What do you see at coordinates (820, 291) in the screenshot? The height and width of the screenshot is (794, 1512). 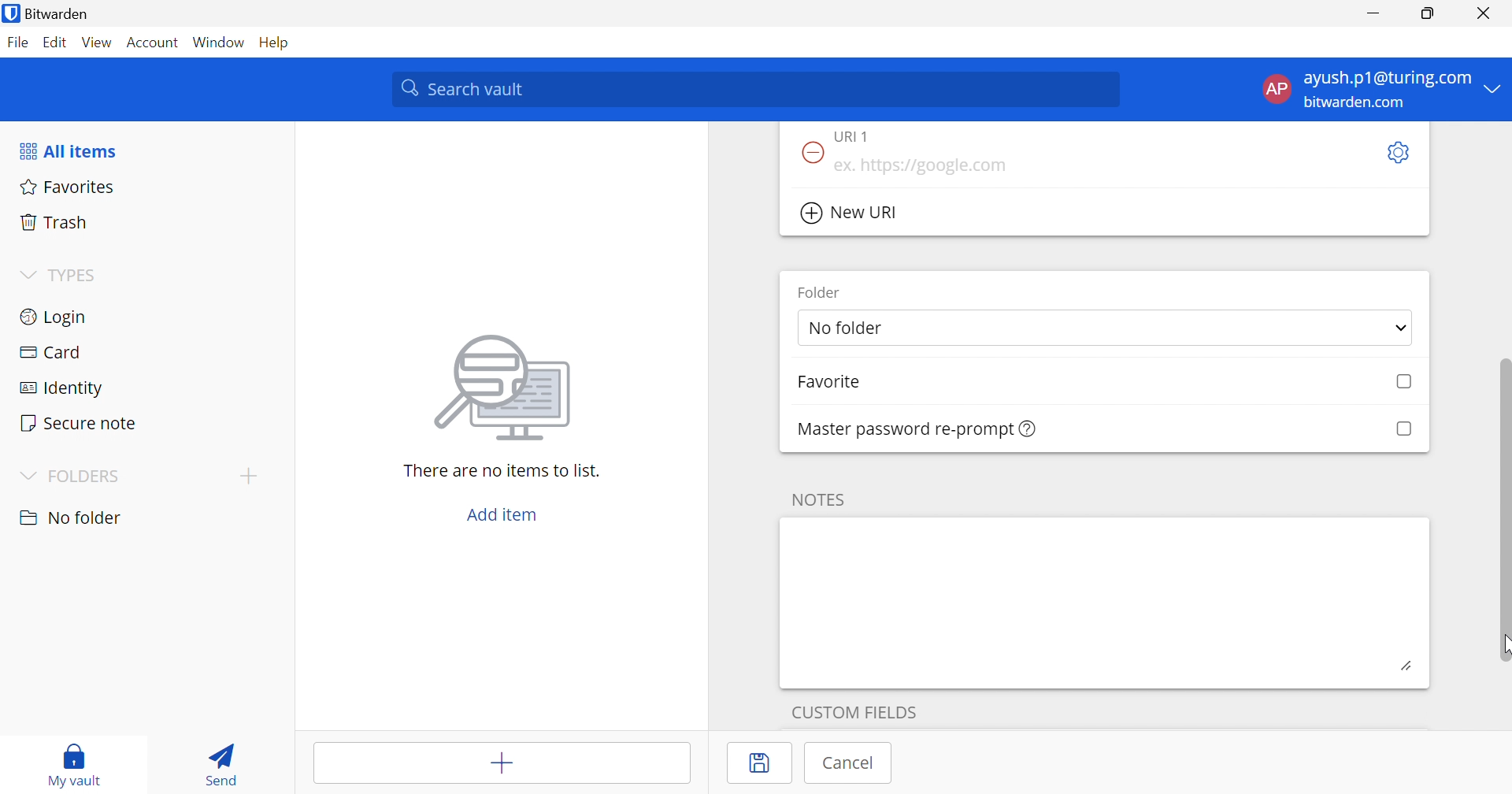 I see `Folder` at bounding box center [820, 291].